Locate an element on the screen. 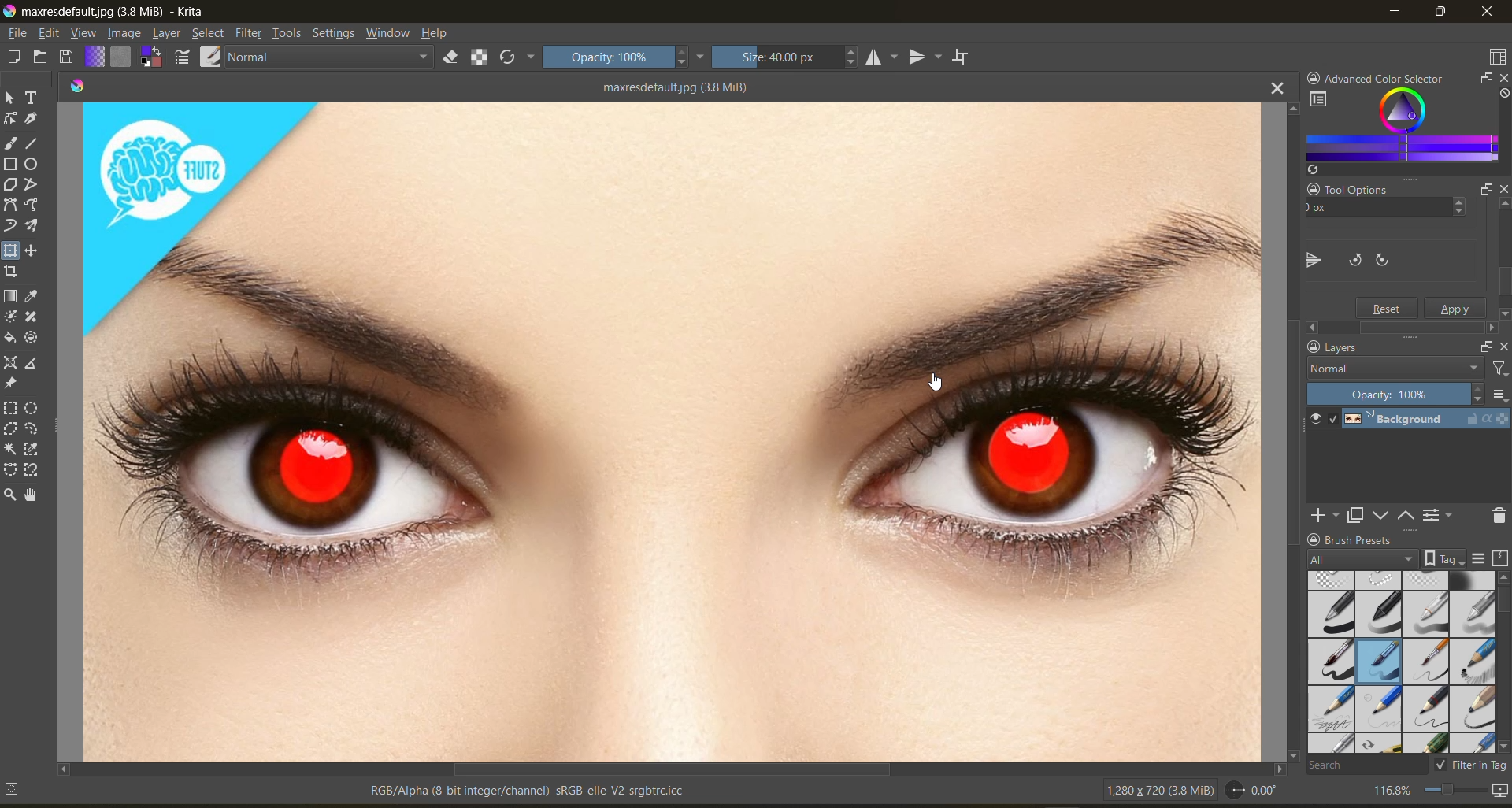 The height and width of the screenshot is (808, 1512). layer is located at coordinates (169, 34).